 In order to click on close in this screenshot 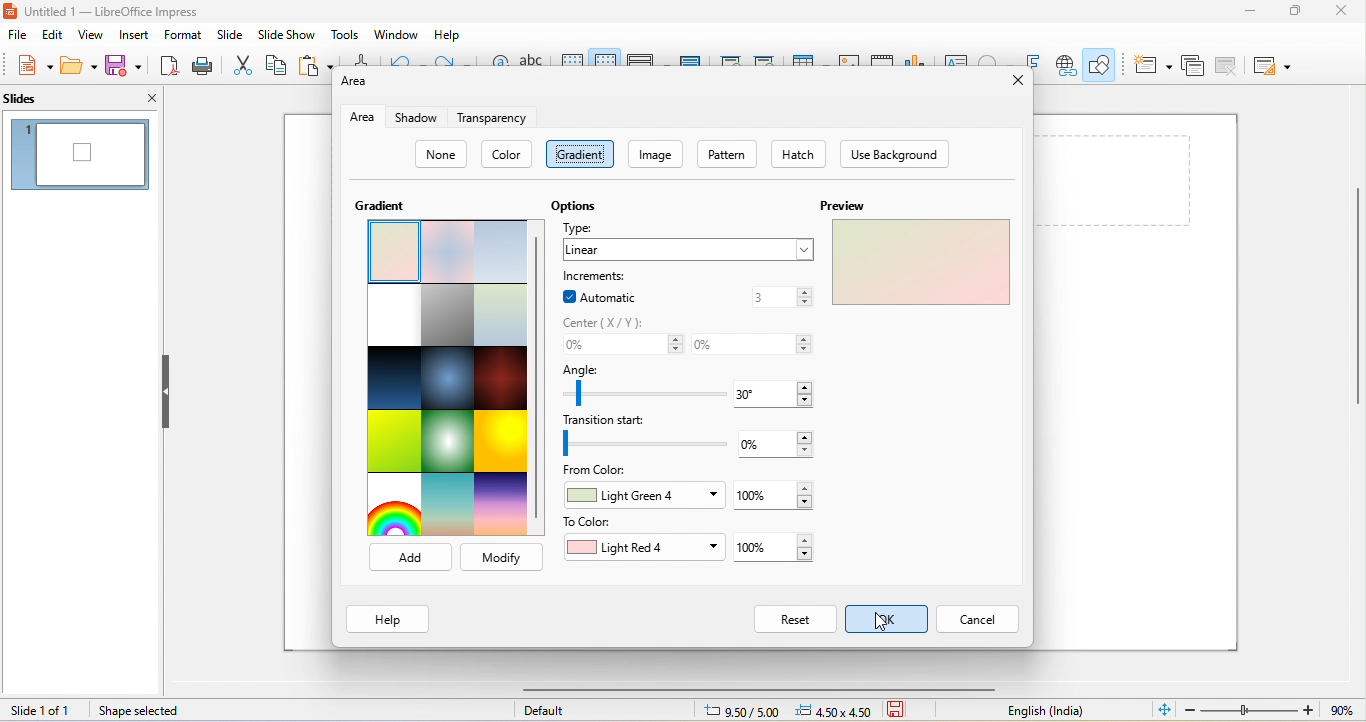, I will do `click(1016, 81)`.